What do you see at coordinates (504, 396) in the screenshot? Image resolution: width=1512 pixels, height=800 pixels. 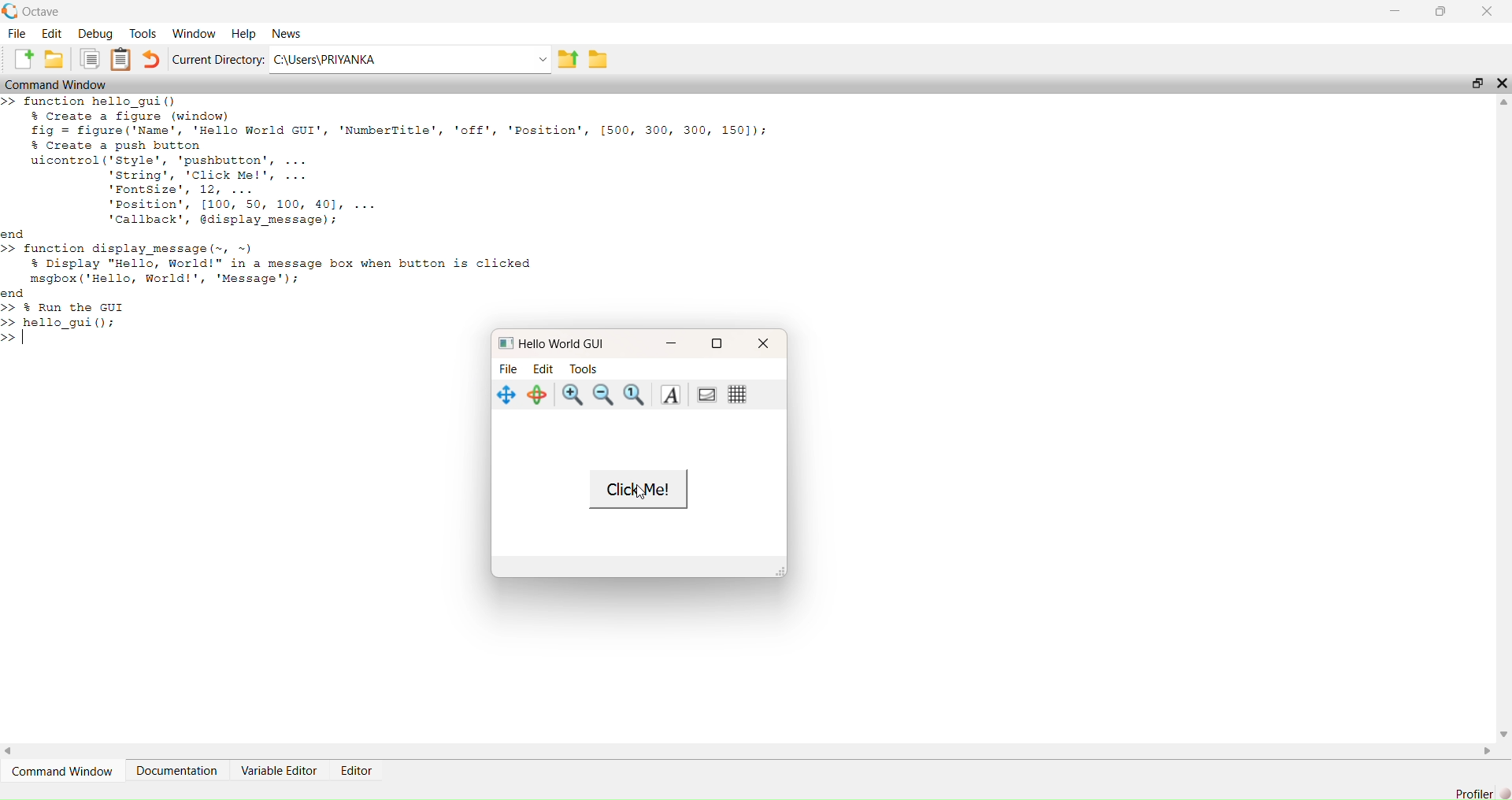 I see `navigate` at bounding box center [504, 396].